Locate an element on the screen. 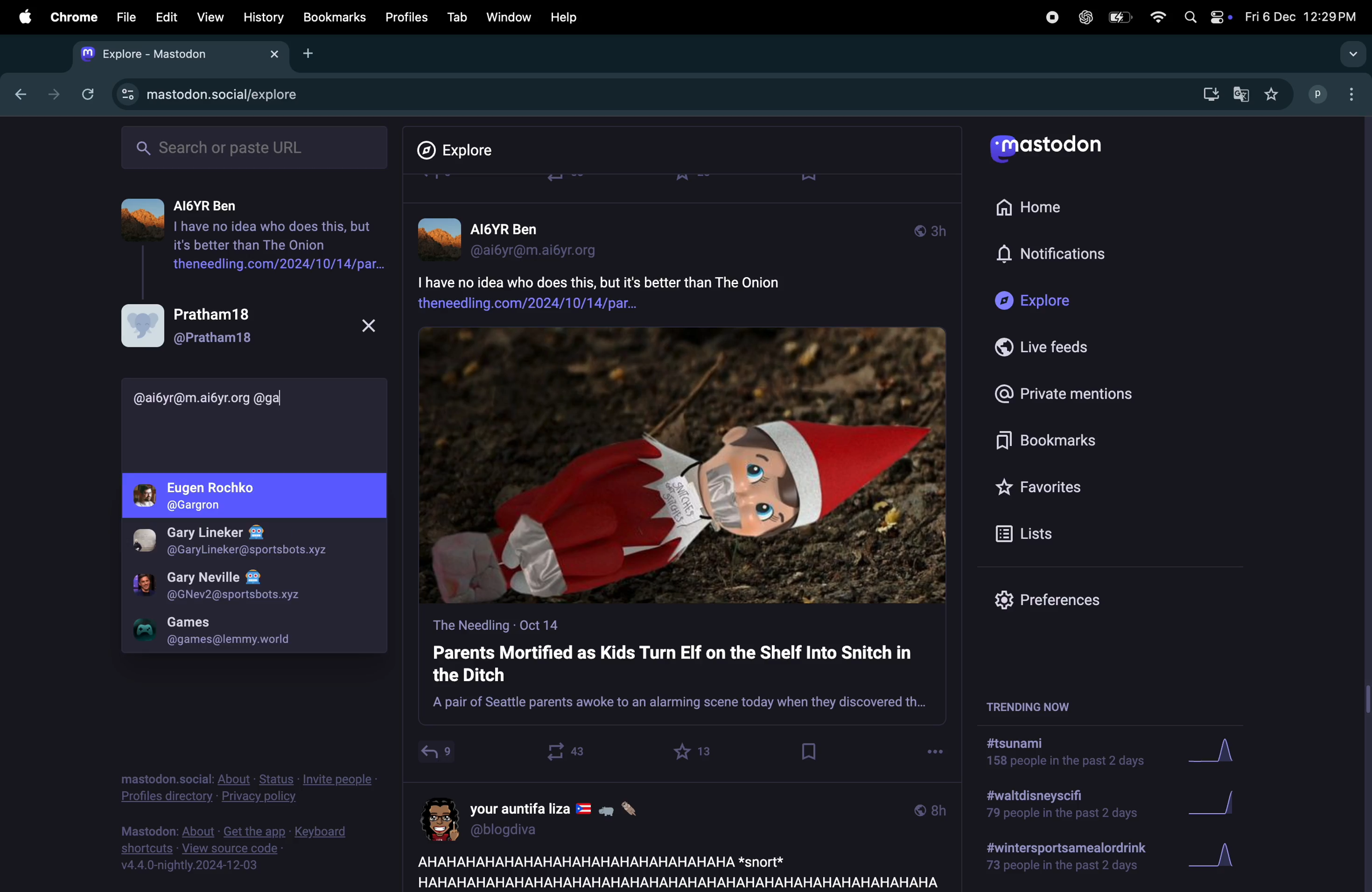 Image resolution: width=1372 pixels, height=892 pixels. graph is located at coordinates (1213, 859).